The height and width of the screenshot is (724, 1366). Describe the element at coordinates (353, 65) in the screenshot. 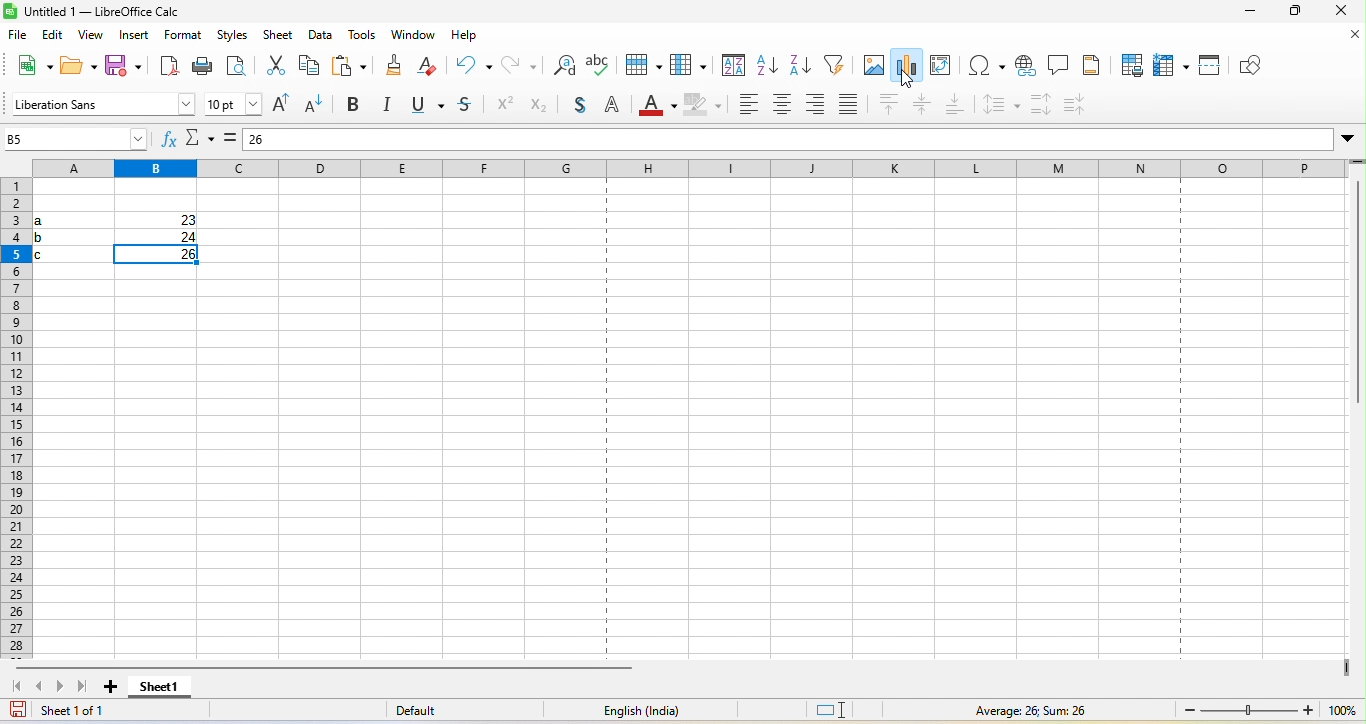

I see `paste` at that location.